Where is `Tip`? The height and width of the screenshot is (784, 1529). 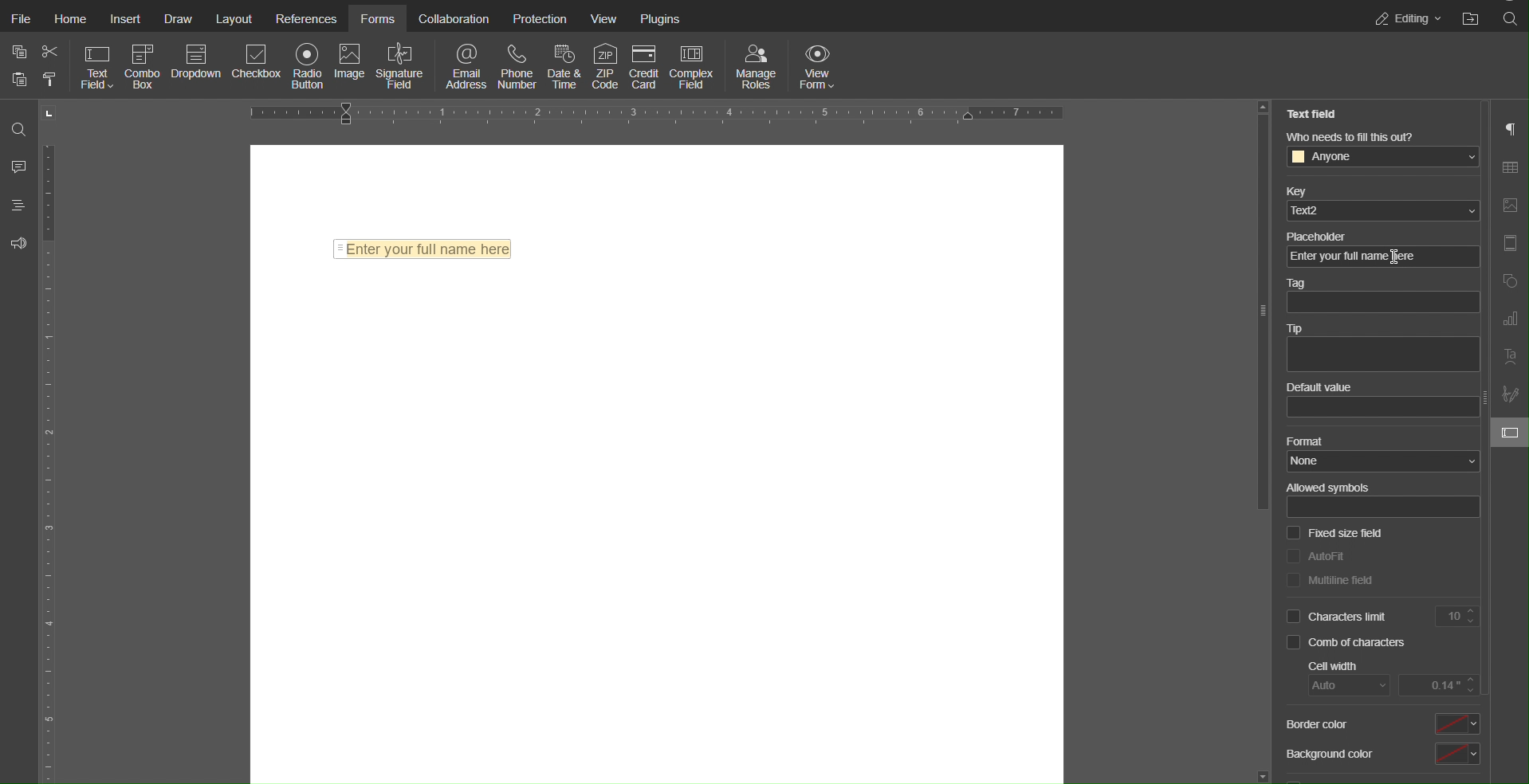
Tip is located at coordinates (1382, 347).